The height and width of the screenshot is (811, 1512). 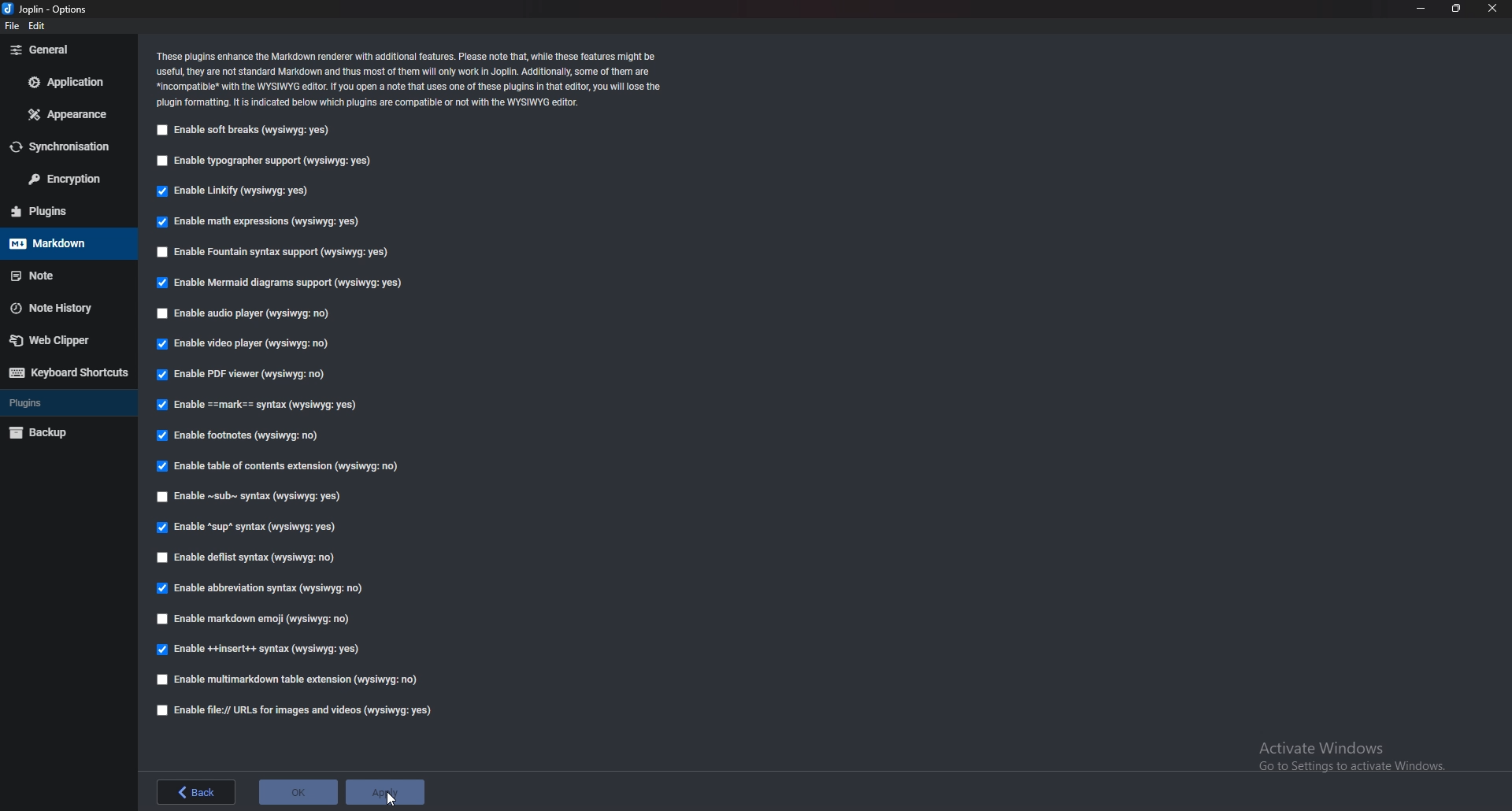 What do you see at coordinates (69, 307) in the screenshot?
I see `Note history` at bounding box center [69, 307].